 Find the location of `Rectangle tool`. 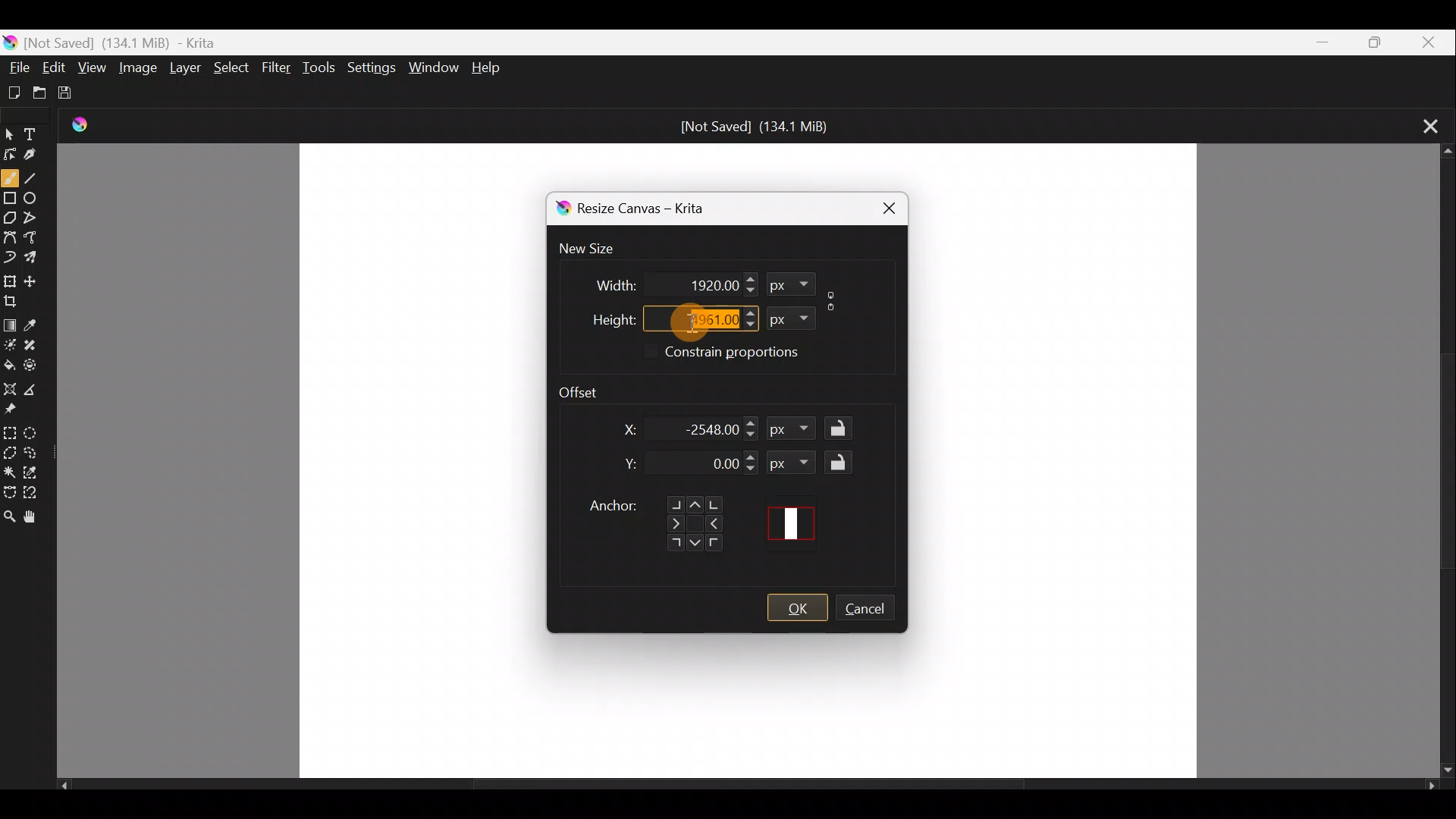

Rectangle tool is located at coordinates (11, 200).